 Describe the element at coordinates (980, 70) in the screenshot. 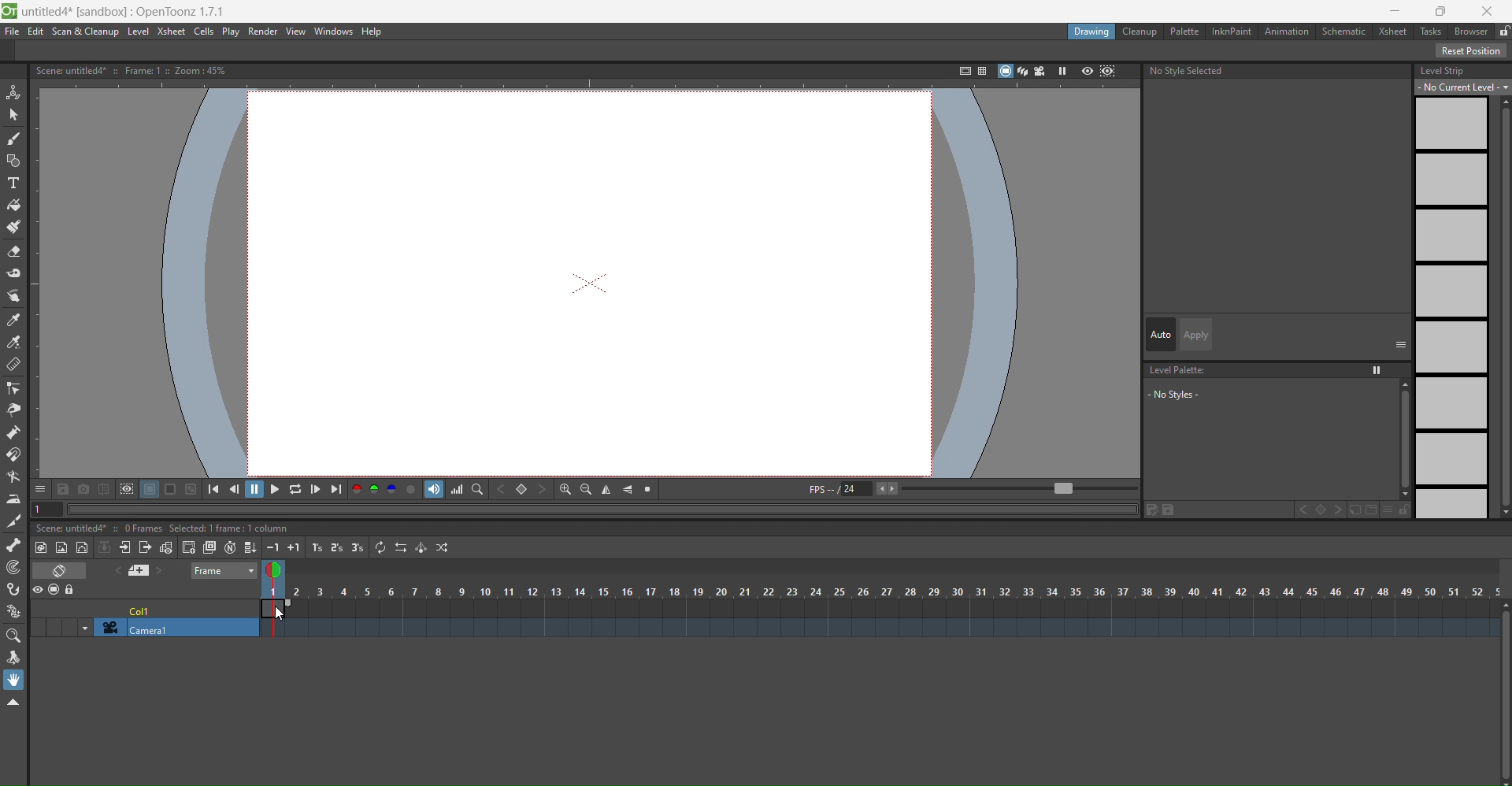

I see `field guide` at that location.